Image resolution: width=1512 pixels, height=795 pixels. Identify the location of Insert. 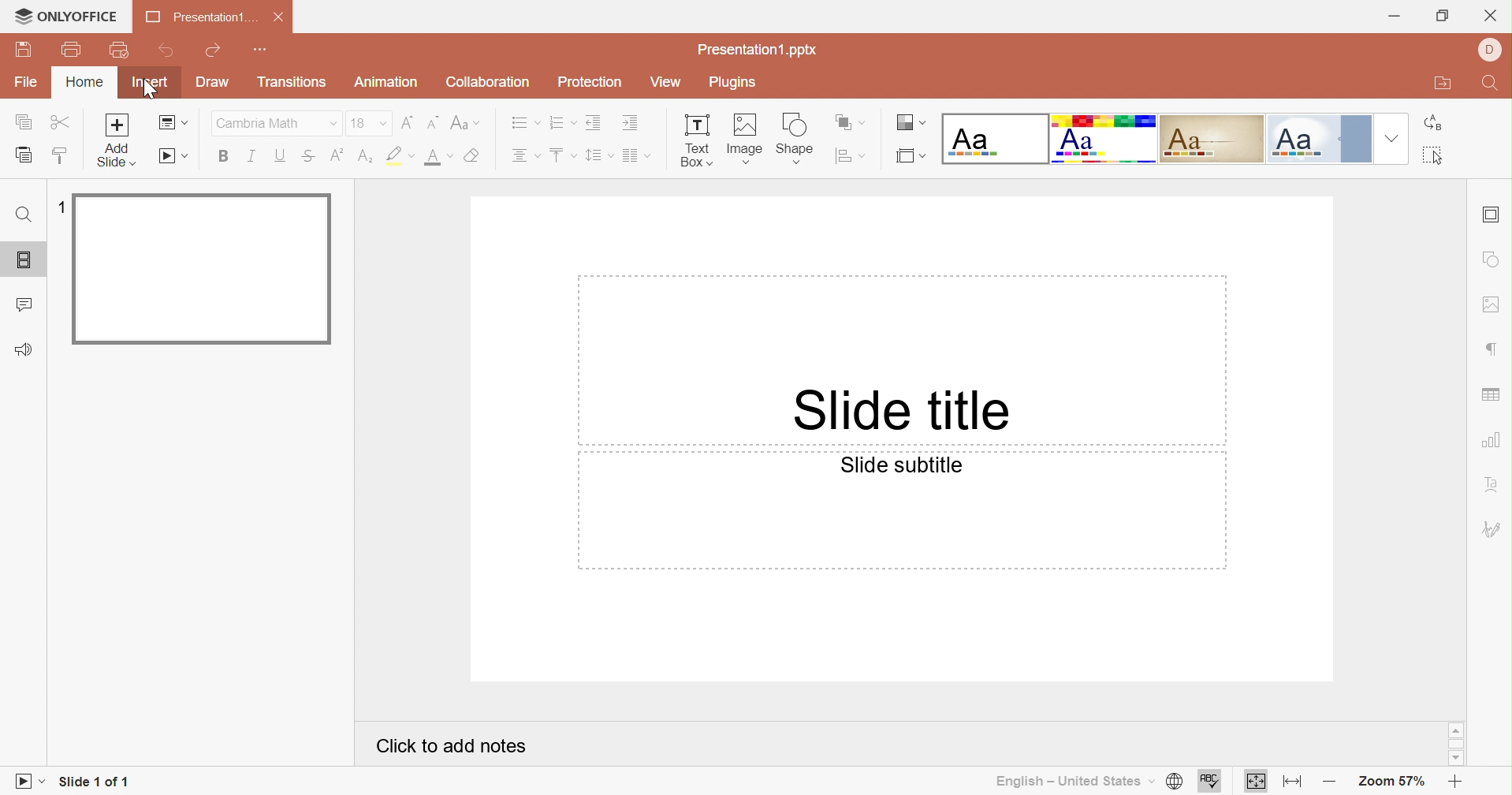
(151, 82).